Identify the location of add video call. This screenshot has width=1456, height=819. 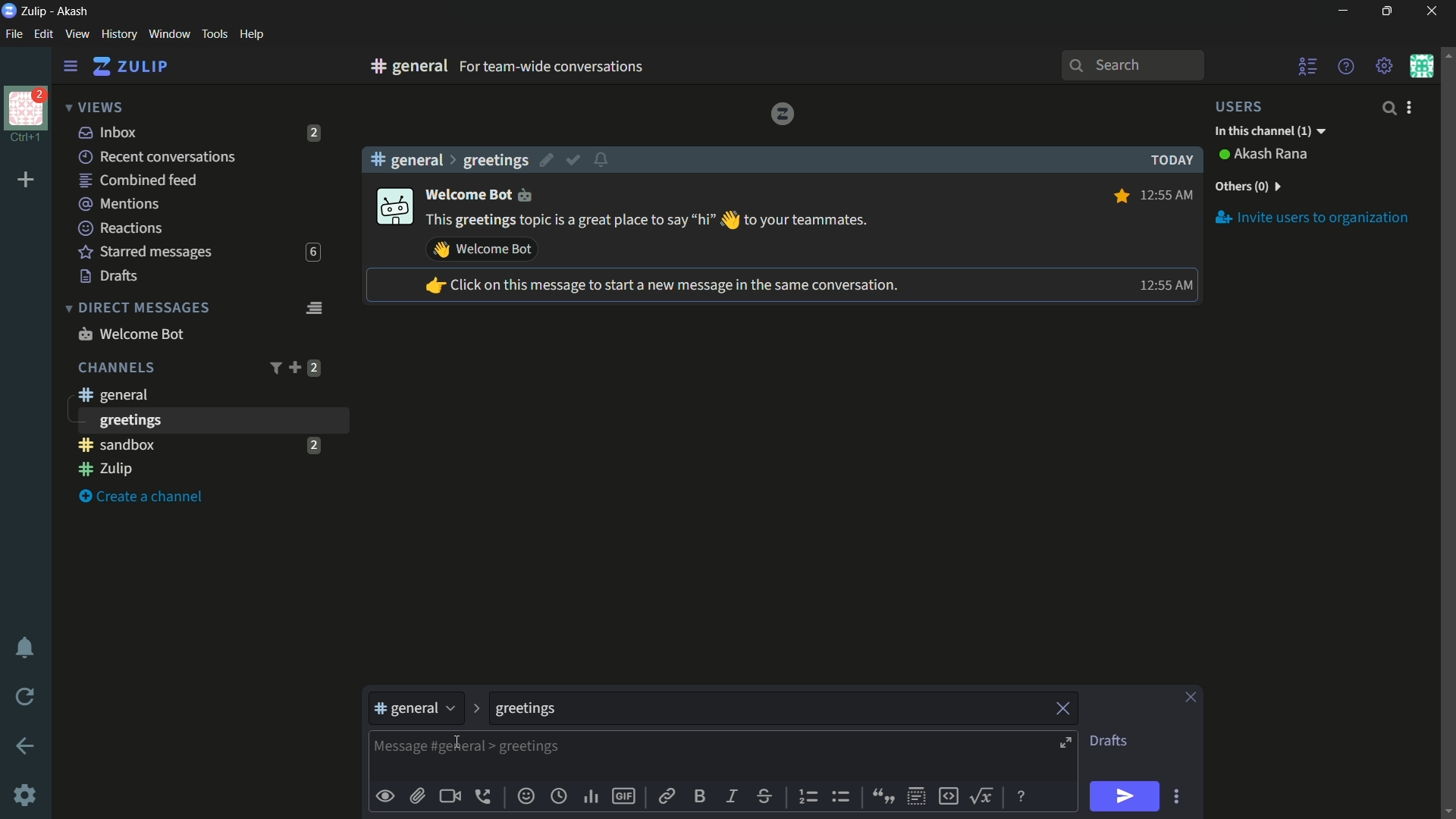
(450, 796).